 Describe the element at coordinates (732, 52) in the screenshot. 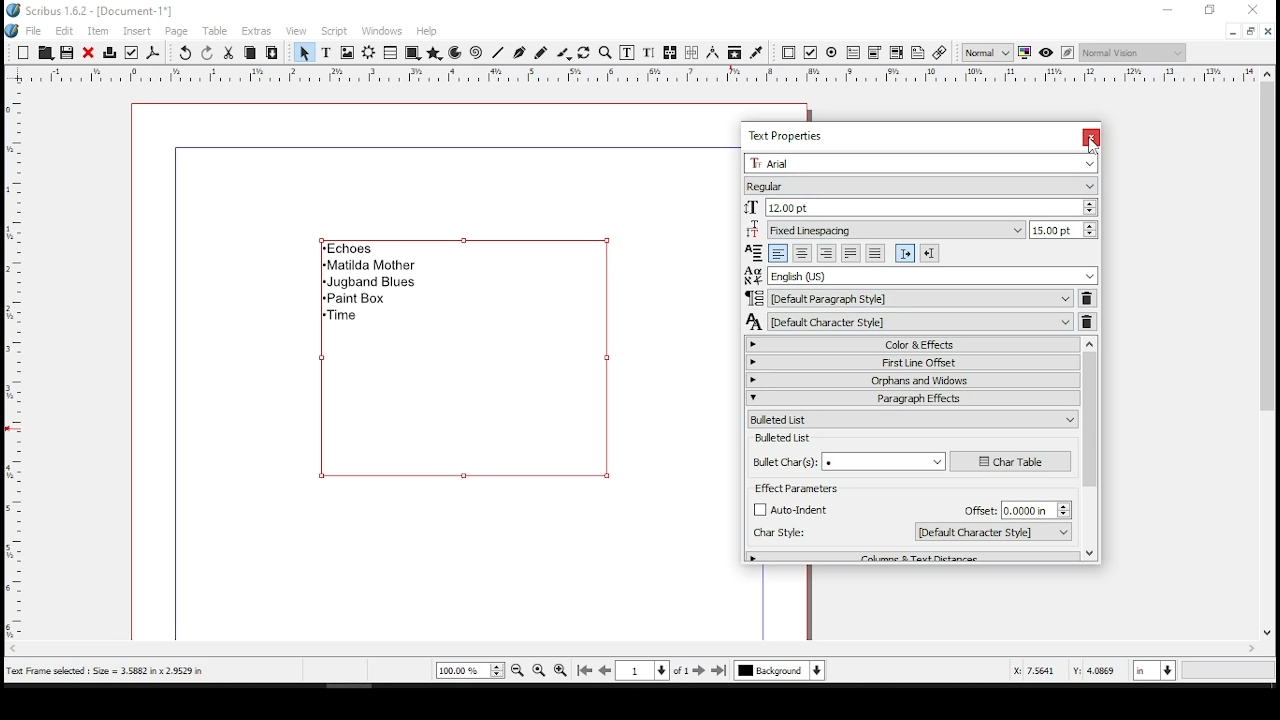

I see `copy item properties` at that location.